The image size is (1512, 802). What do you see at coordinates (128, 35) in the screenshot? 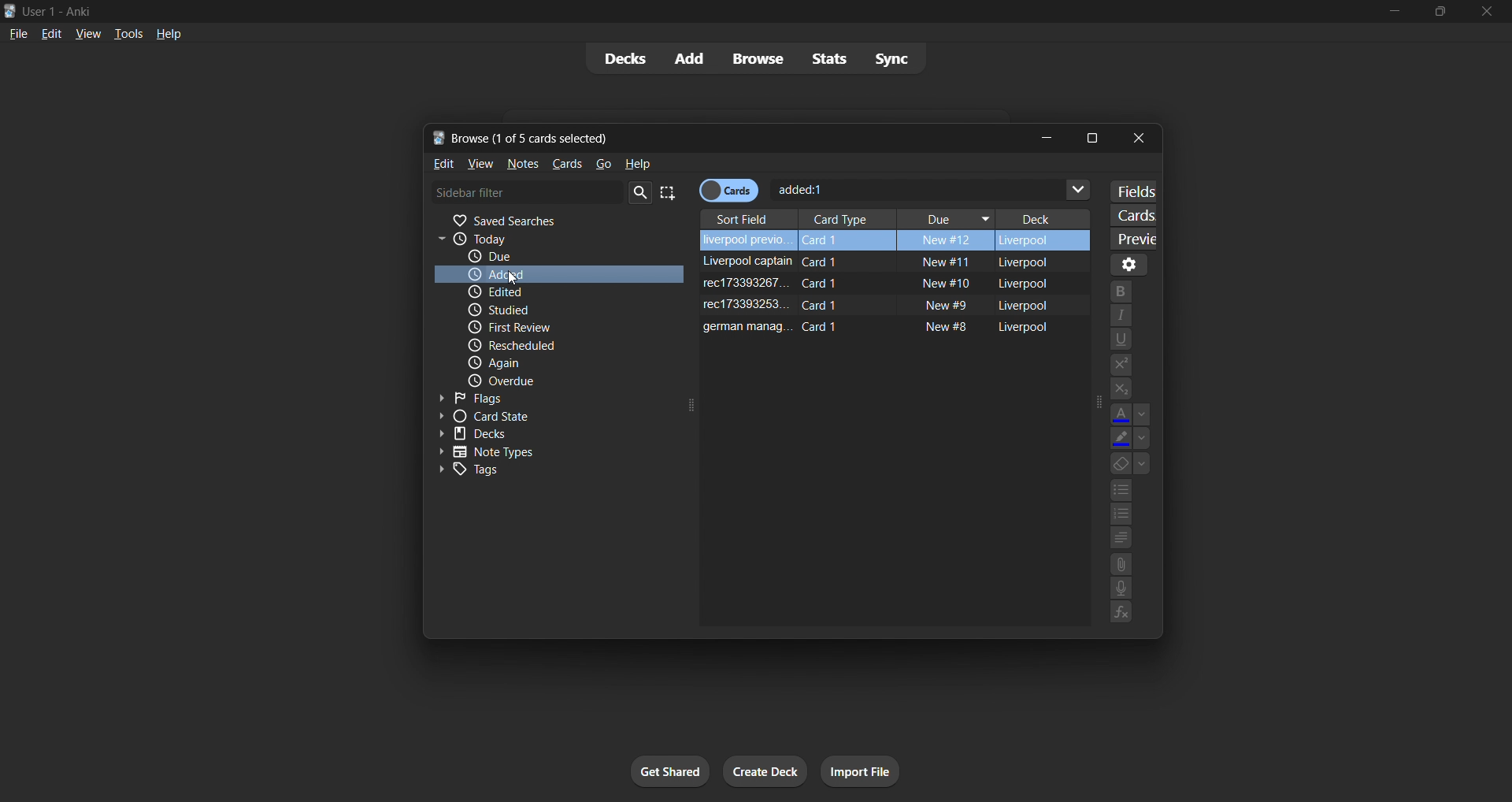
I see `tools` at bounding box center [128, 35].